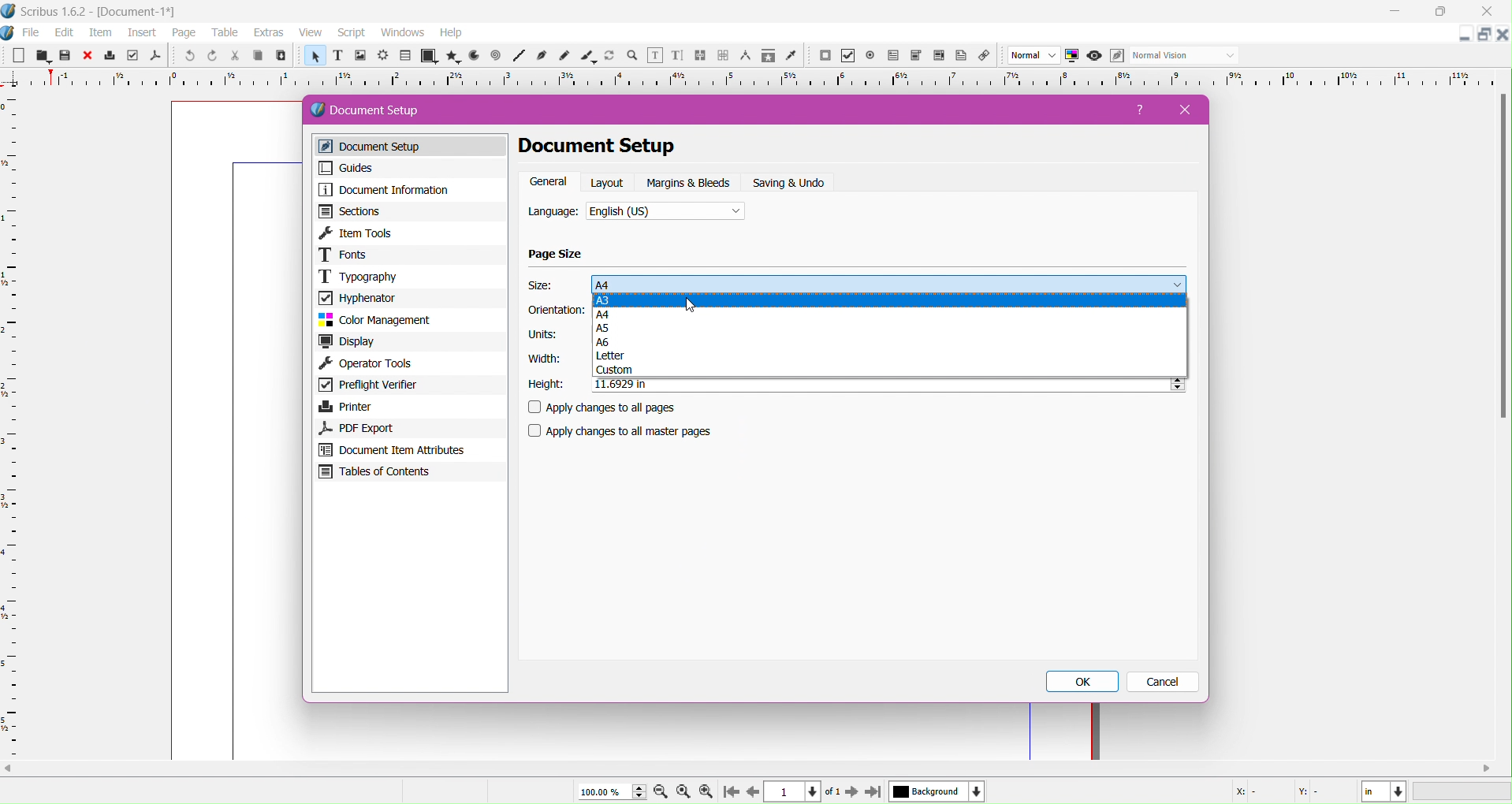 Image resolution: width=1512 pixels, height=804 pixels. Describe the element at coordinates (752, 767) in the screenshot. I see `Scroll` at that location.